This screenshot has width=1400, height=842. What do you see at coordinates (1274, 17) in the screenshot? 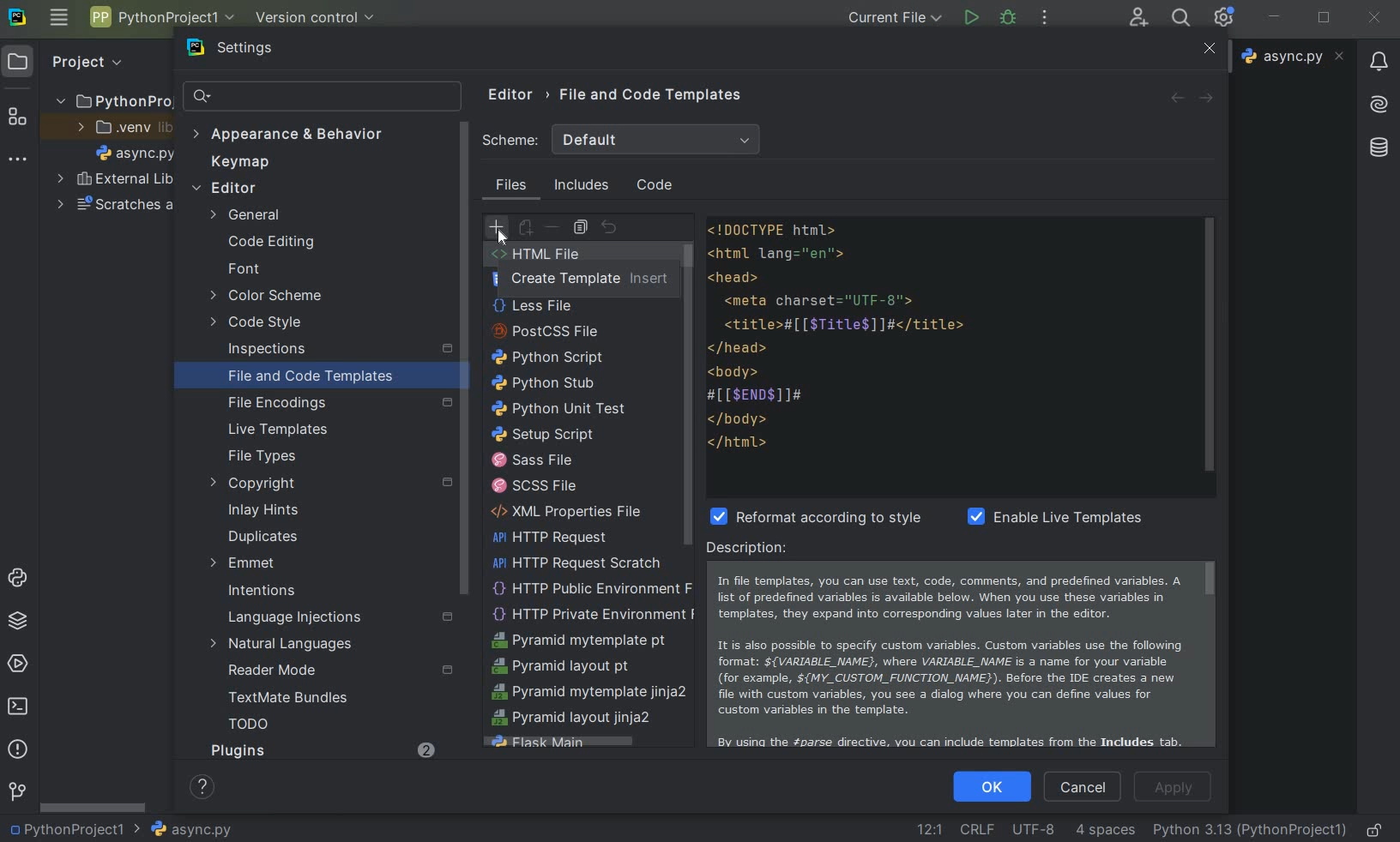
I see `minimize` at bounding box center [1274, 17].